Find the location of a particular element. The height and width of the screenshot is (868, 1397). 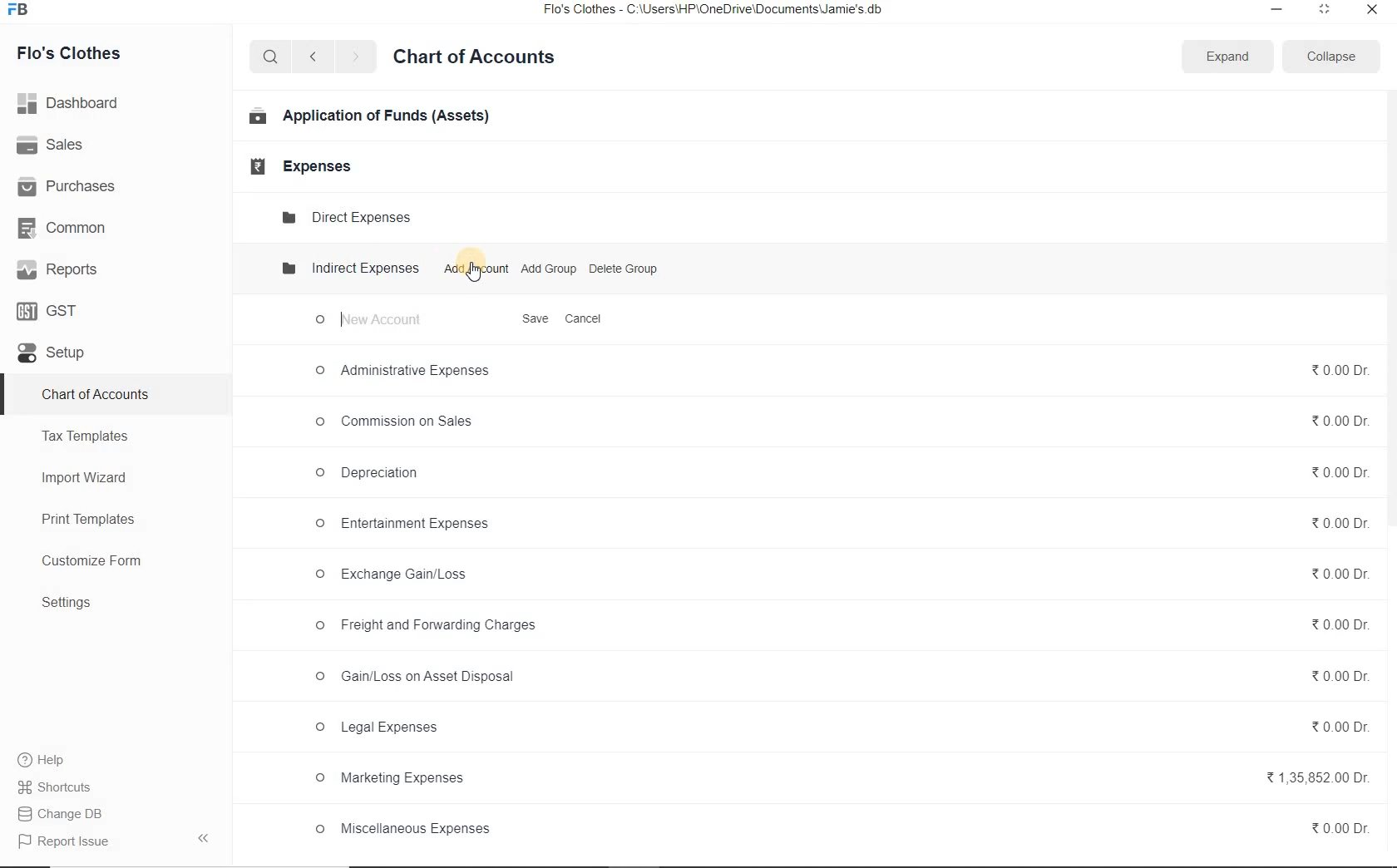

© Freight and Forwarding Charges 0.00 Dr. is located at coordinates (842, 628).